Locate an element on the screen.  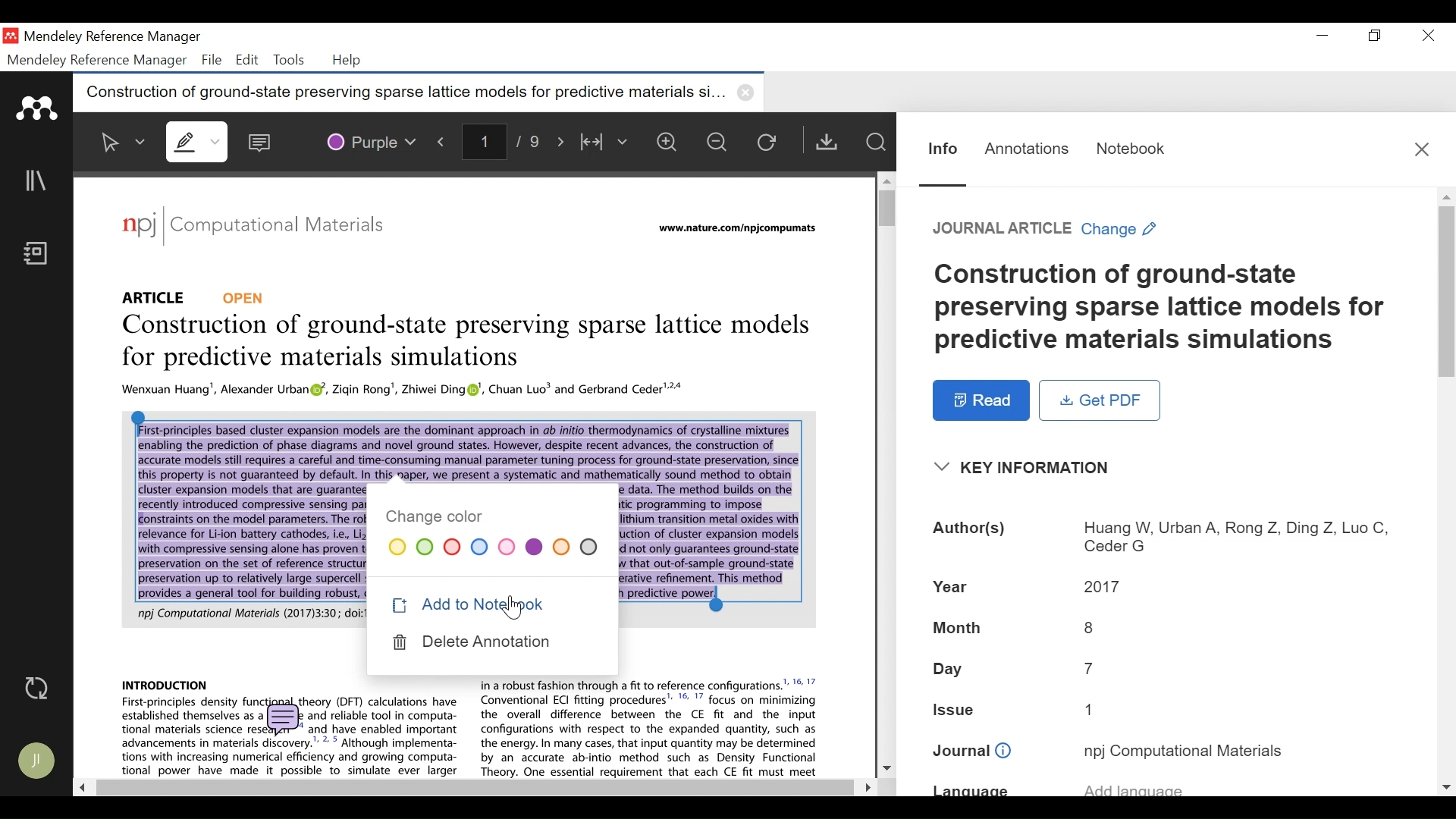
Journal is located at coordinates (1184, 750).